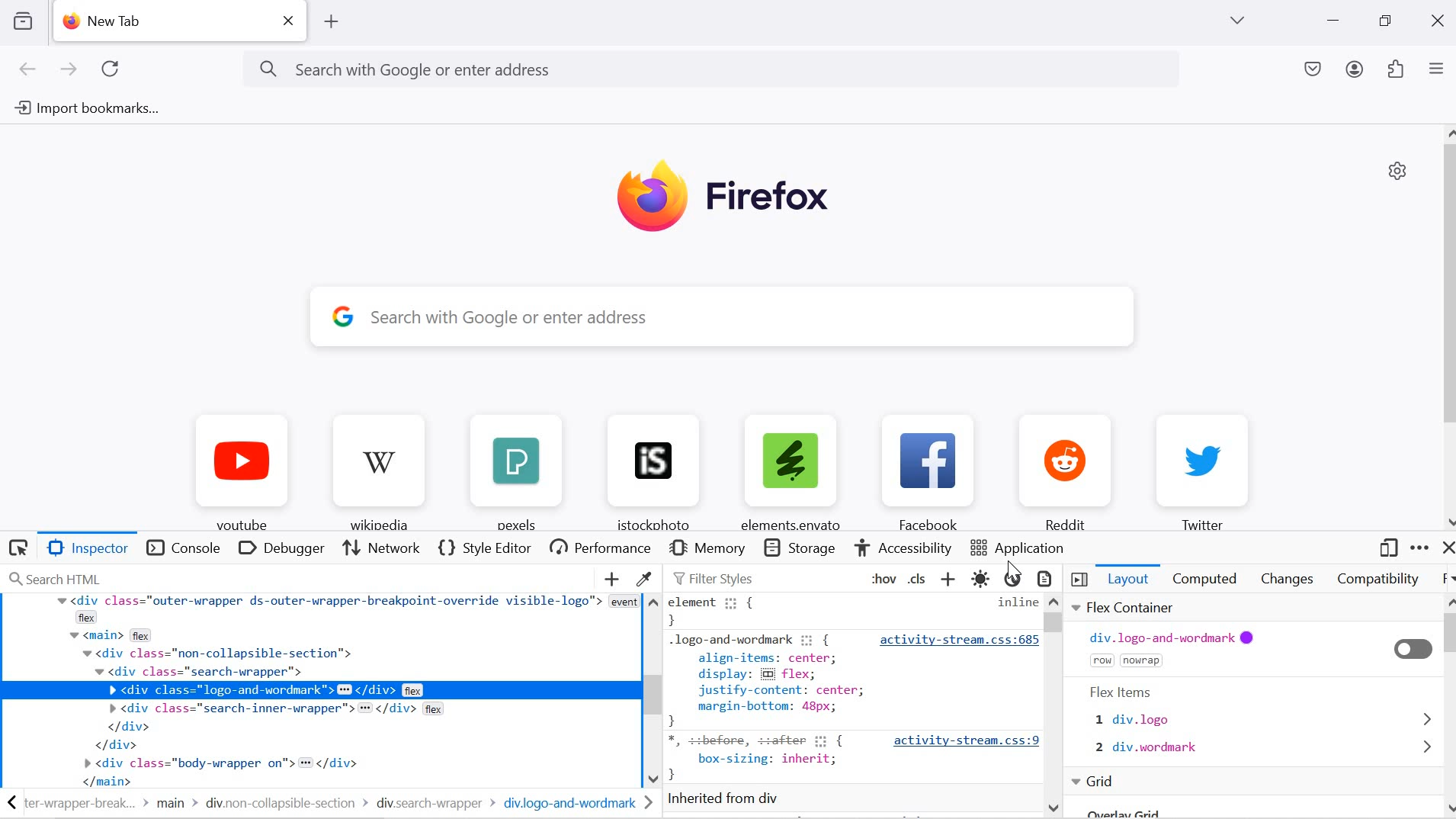 This screenshot has width=1456, height=819. Describe the element at coordinates (712, 549) in the screenshot. I see `Memory` at that location.